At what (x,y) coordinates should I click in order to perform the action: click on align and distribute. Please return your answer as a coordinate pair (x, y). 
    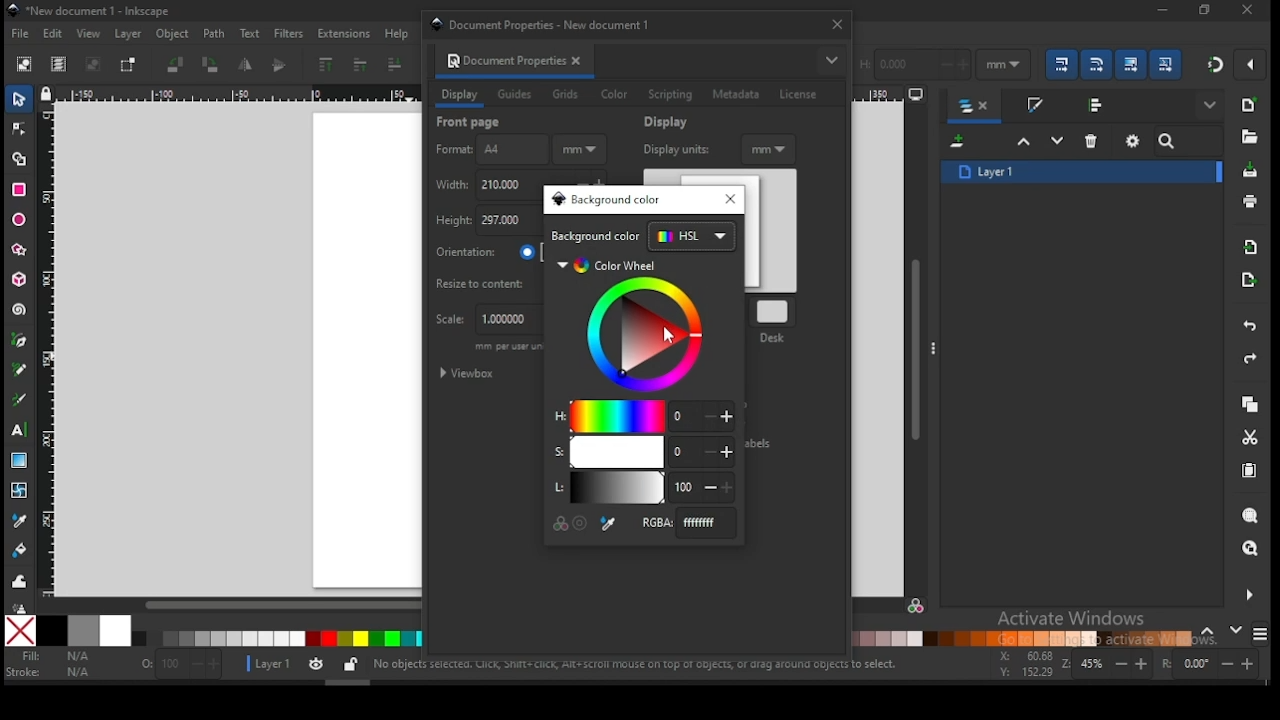
    Looking at the image, I should click on (1098, 104).